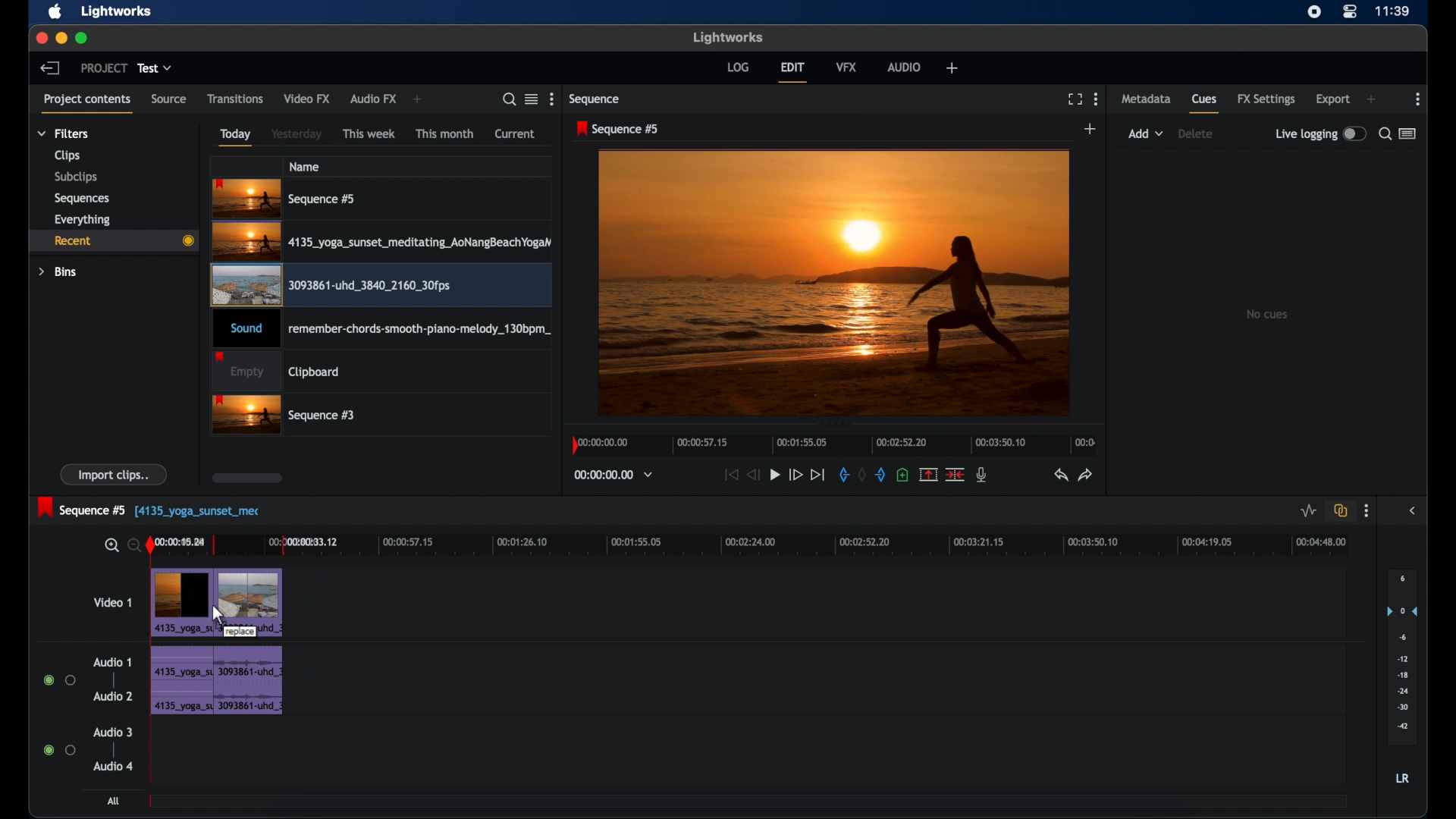 The image size is (1456, 819). I want to click on in mark, so click(842, 475).